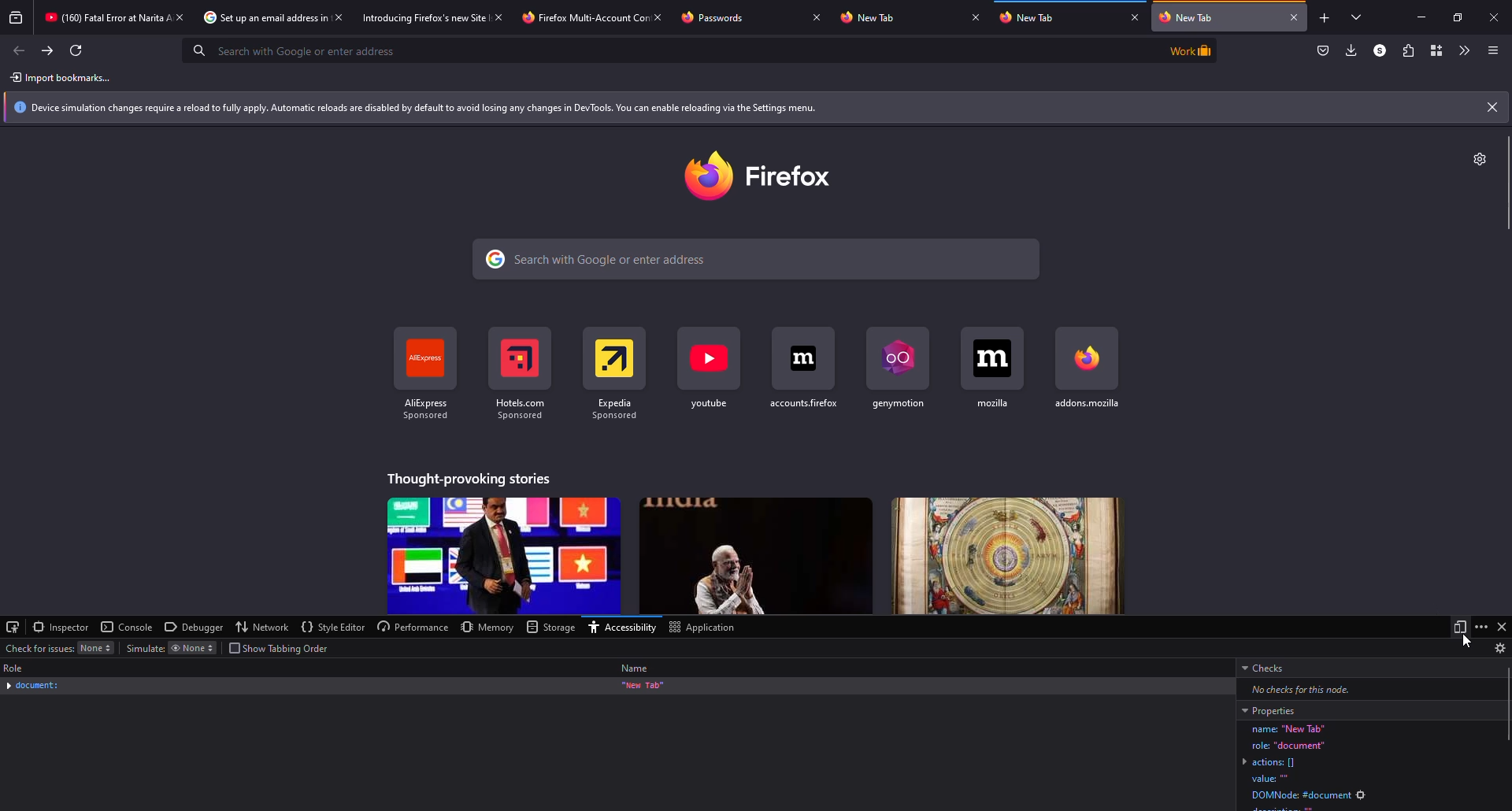 The height and width of the screenshot is (811, 1512). I want to click on refresh, so click(76, 50).